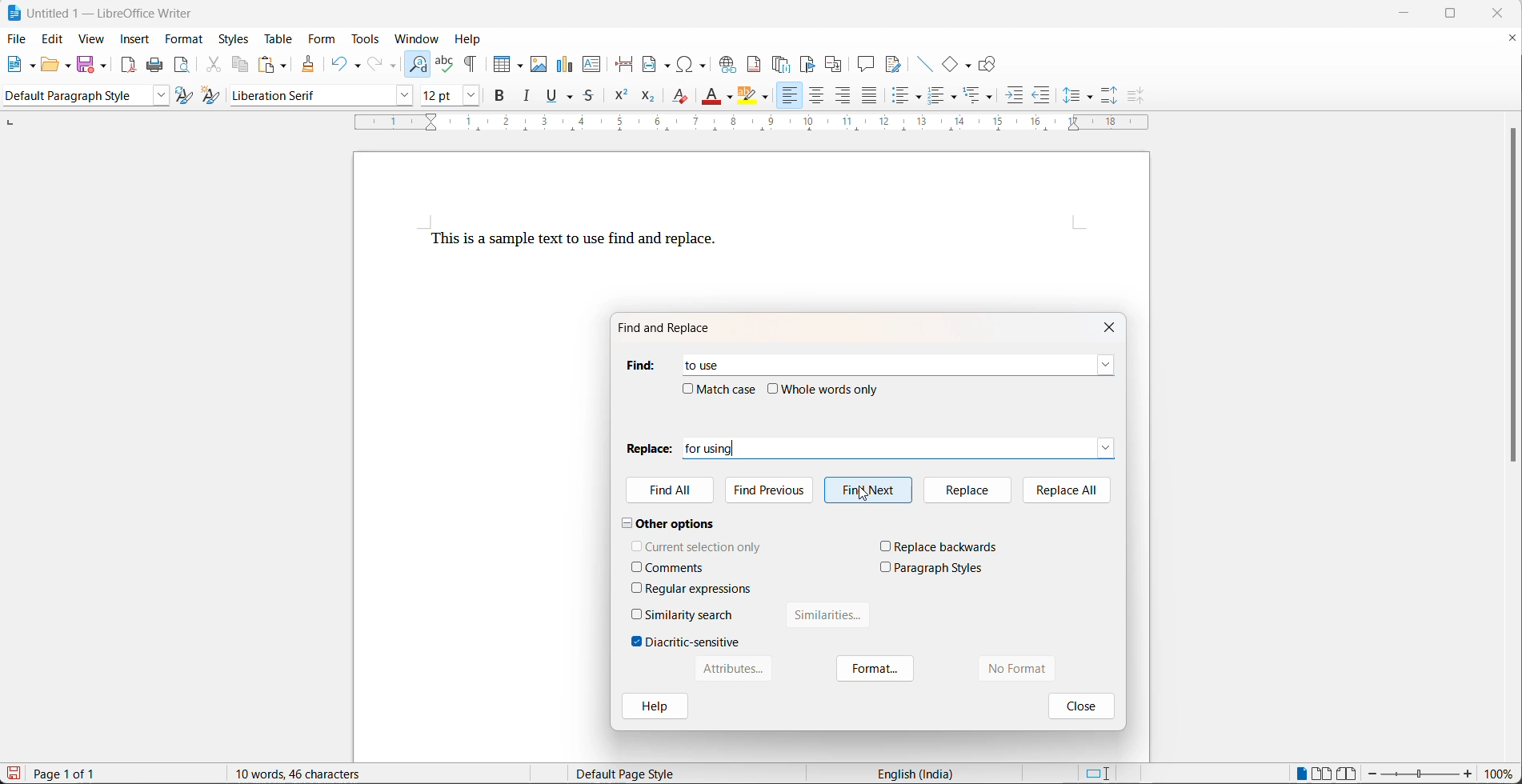  I want to click on copy, so click(242, 64).